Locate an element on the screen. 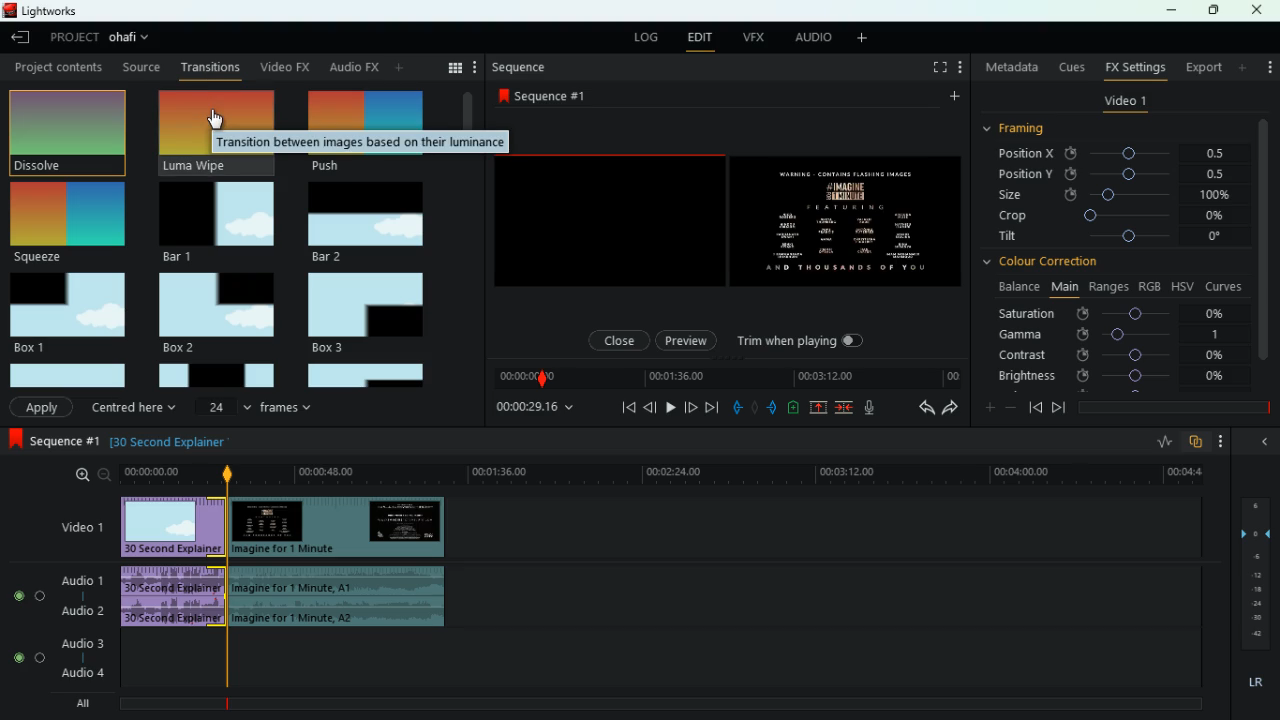 The image size is (1280, 720). project name is located at coordinates (133, 39).